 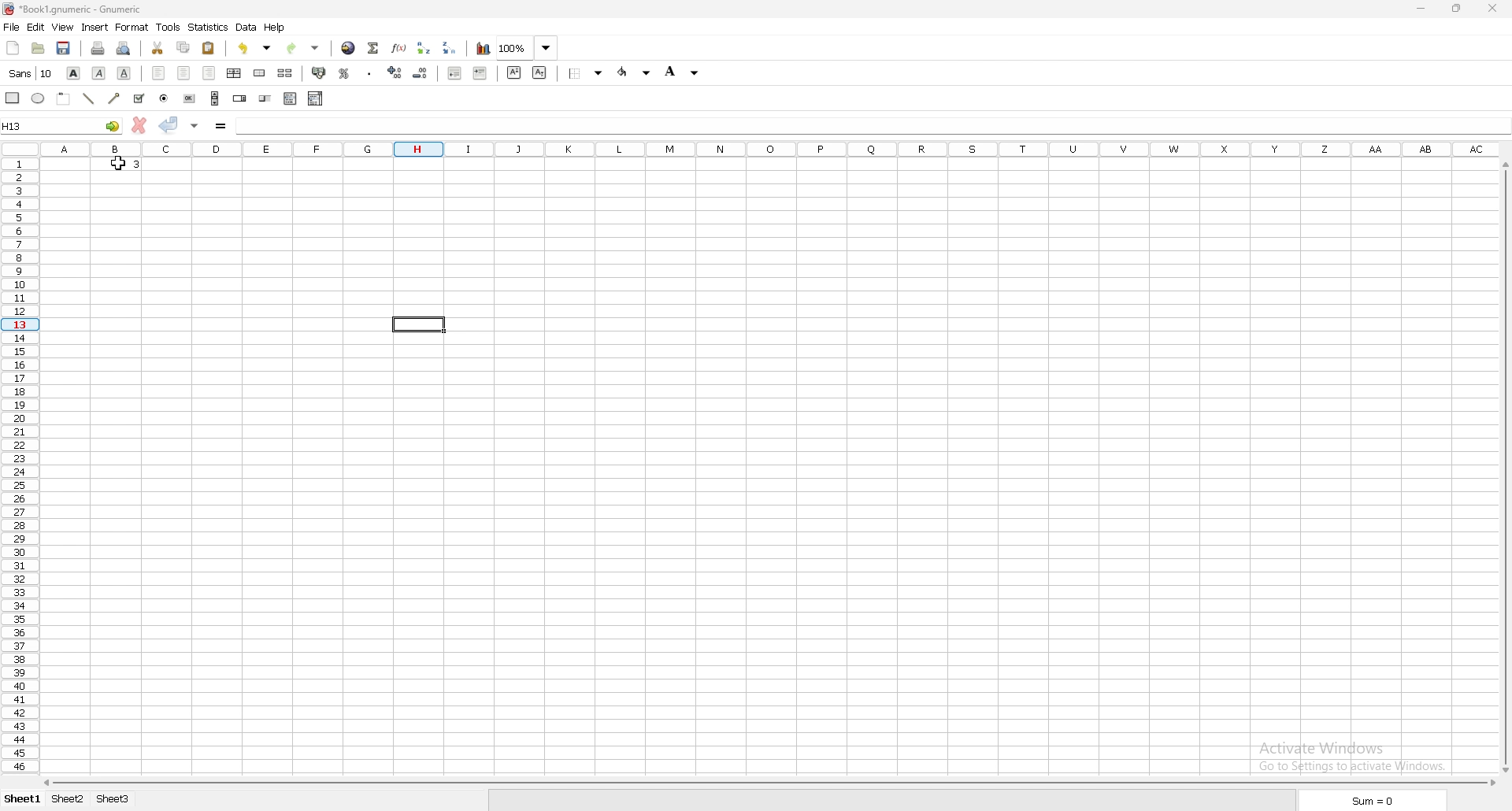 I want to click on subscript, so click(x=539, y=73).